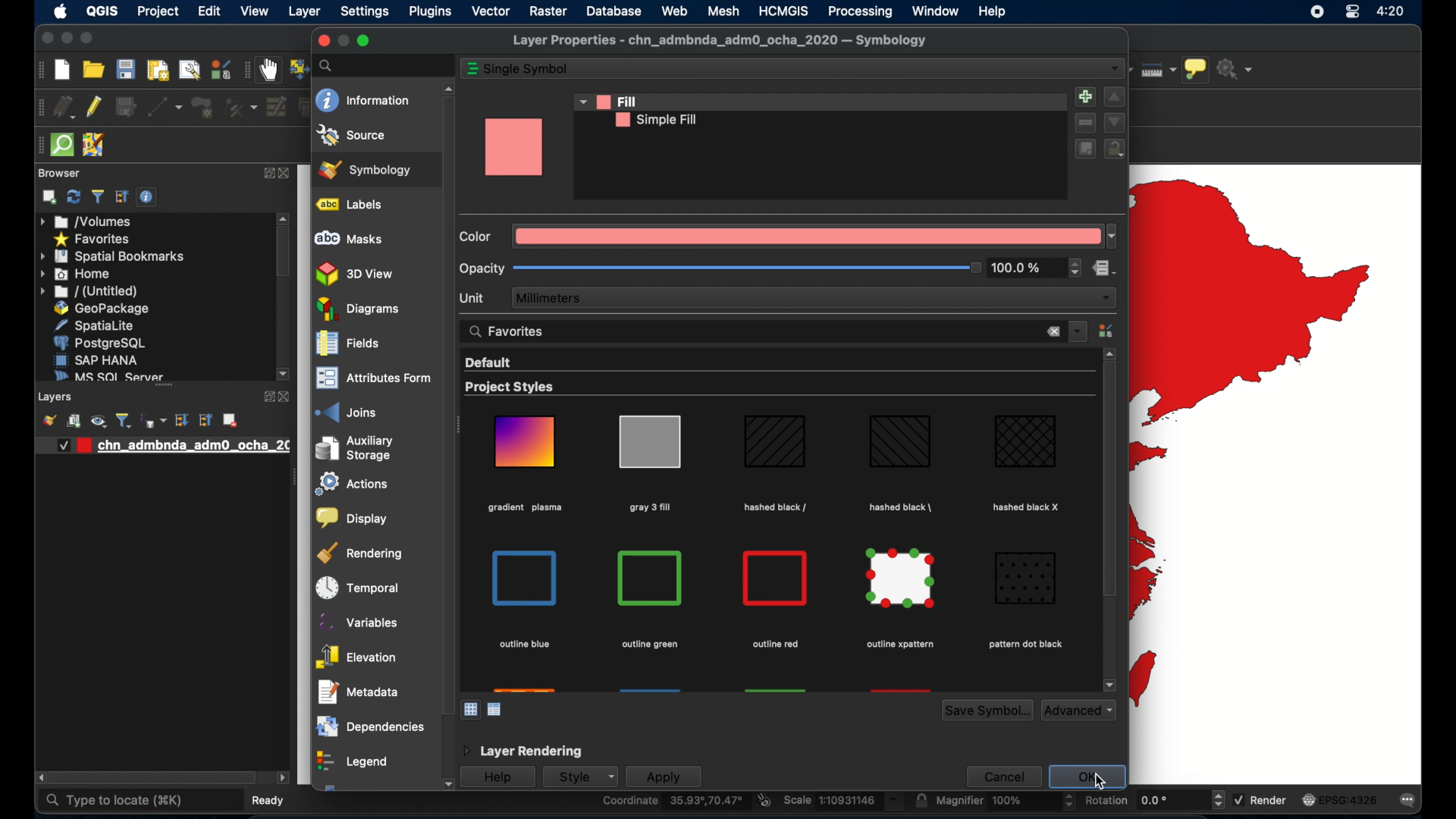 This screenshot has width=1456, height=819. I want to click on toggle extents and mouse display position, so click(764, 800).